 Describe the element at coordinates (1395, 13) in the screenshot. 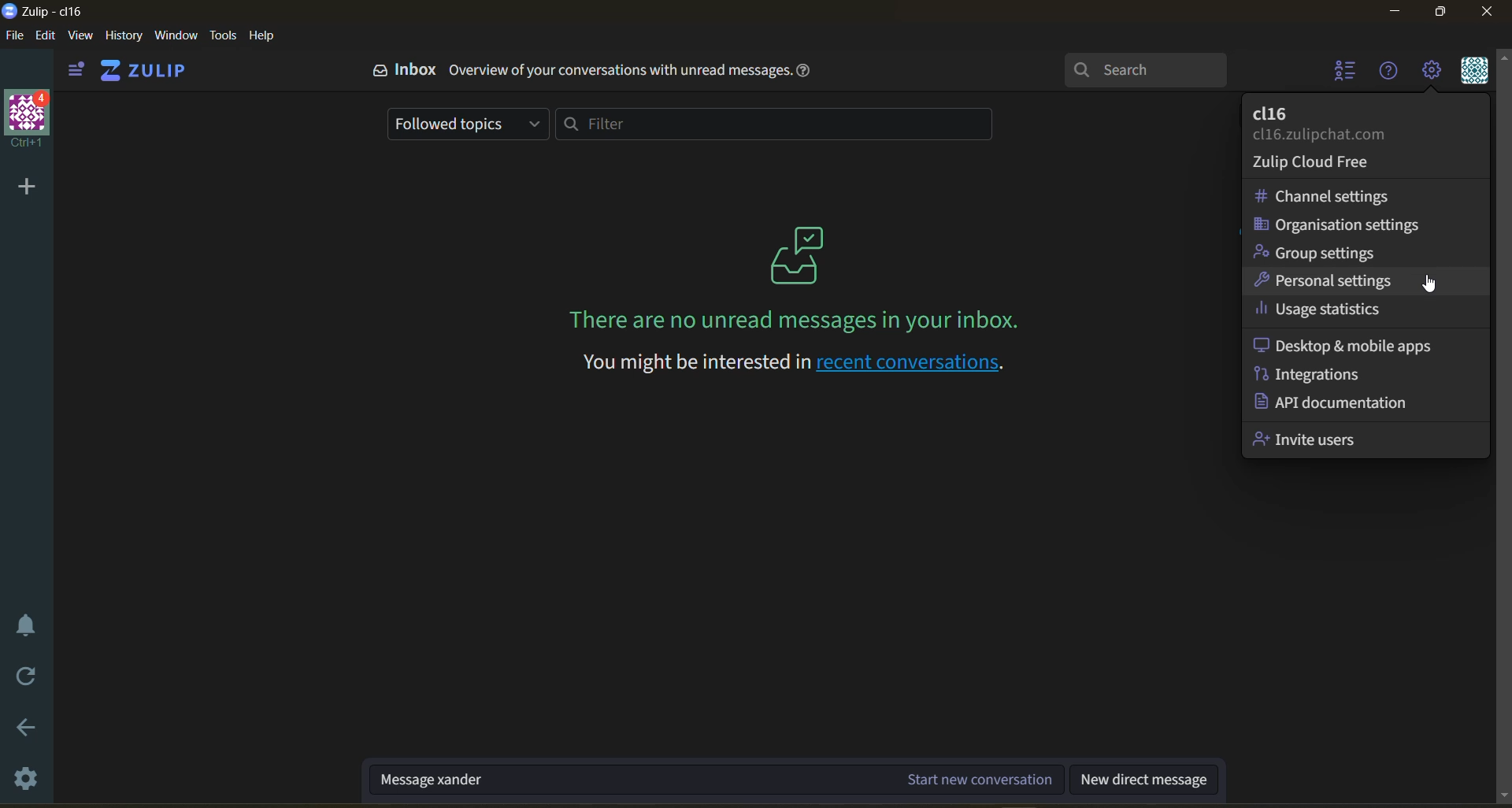

I see `Minimize` at that location.